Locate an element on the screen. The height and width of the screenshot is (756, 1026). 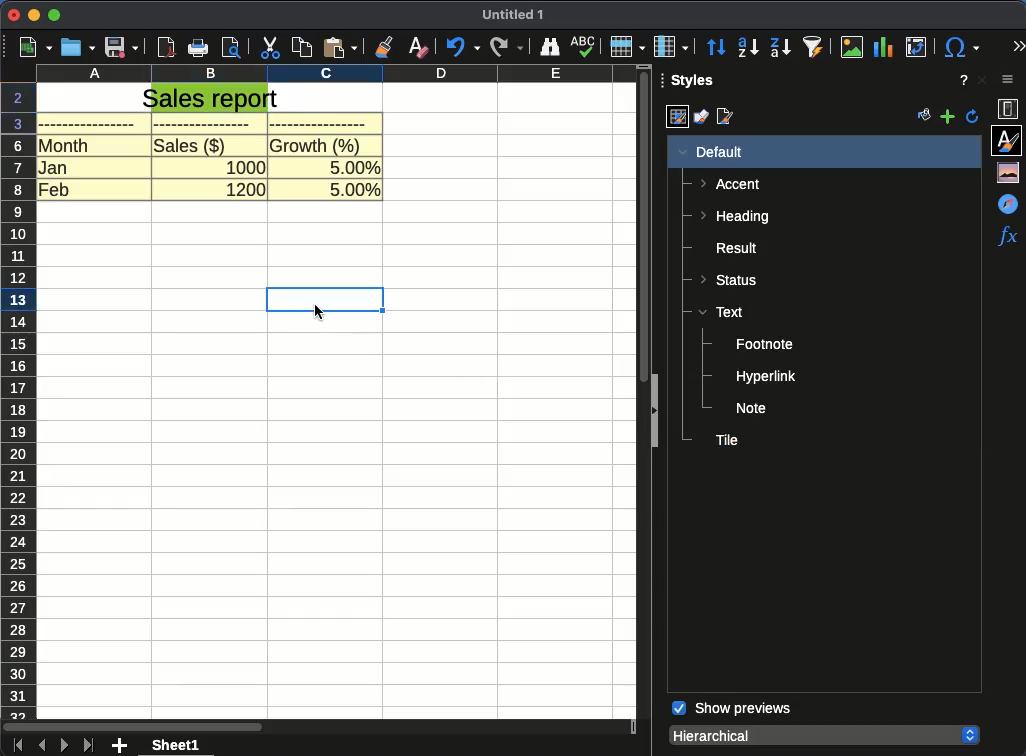
add new style is located at coordinates (947, 117).